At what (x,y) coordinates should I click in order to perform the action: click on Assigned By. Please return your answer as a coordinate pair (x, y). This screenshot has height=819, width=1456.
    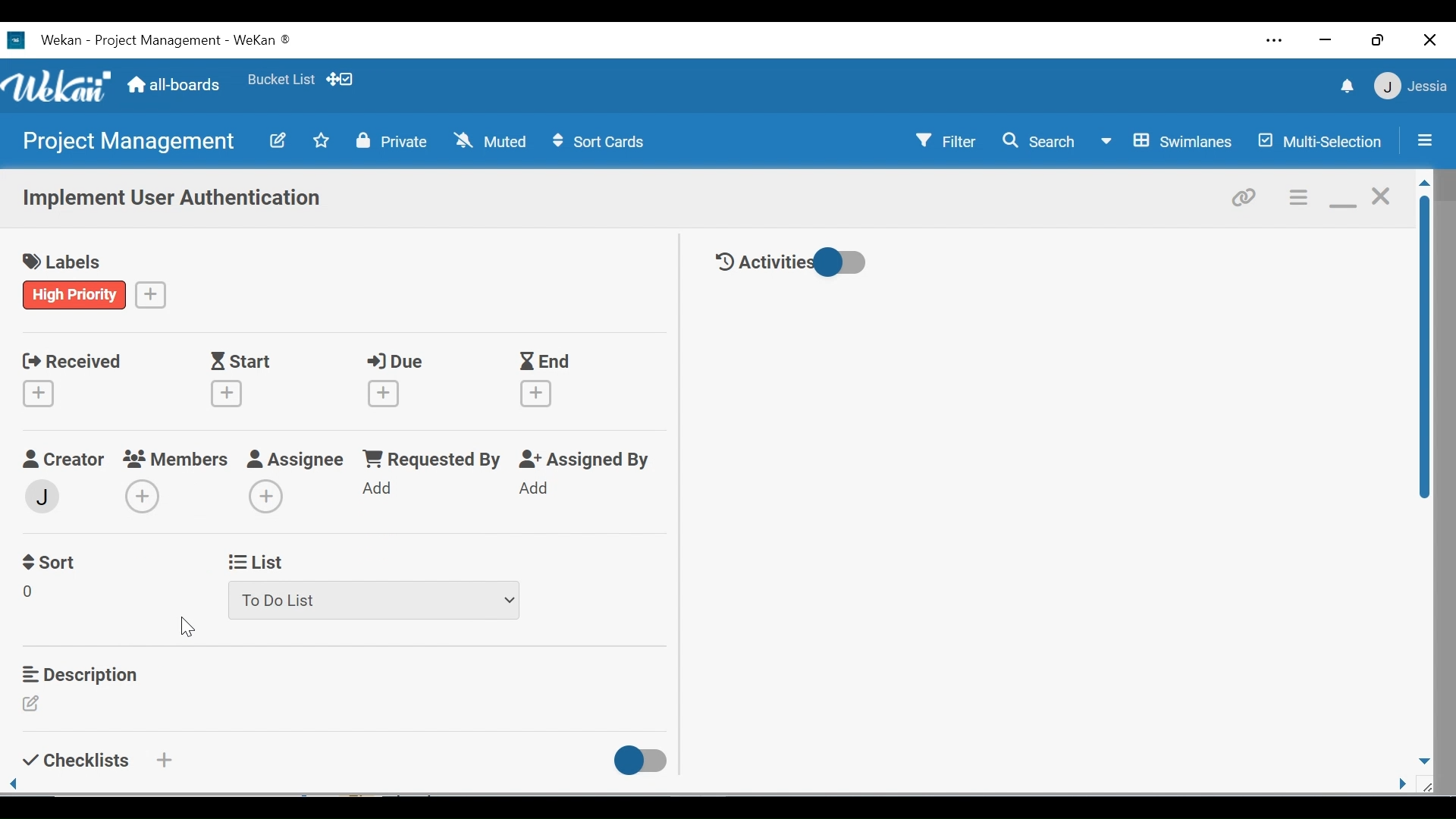
    Looking at the image, I should click on (585, 460).